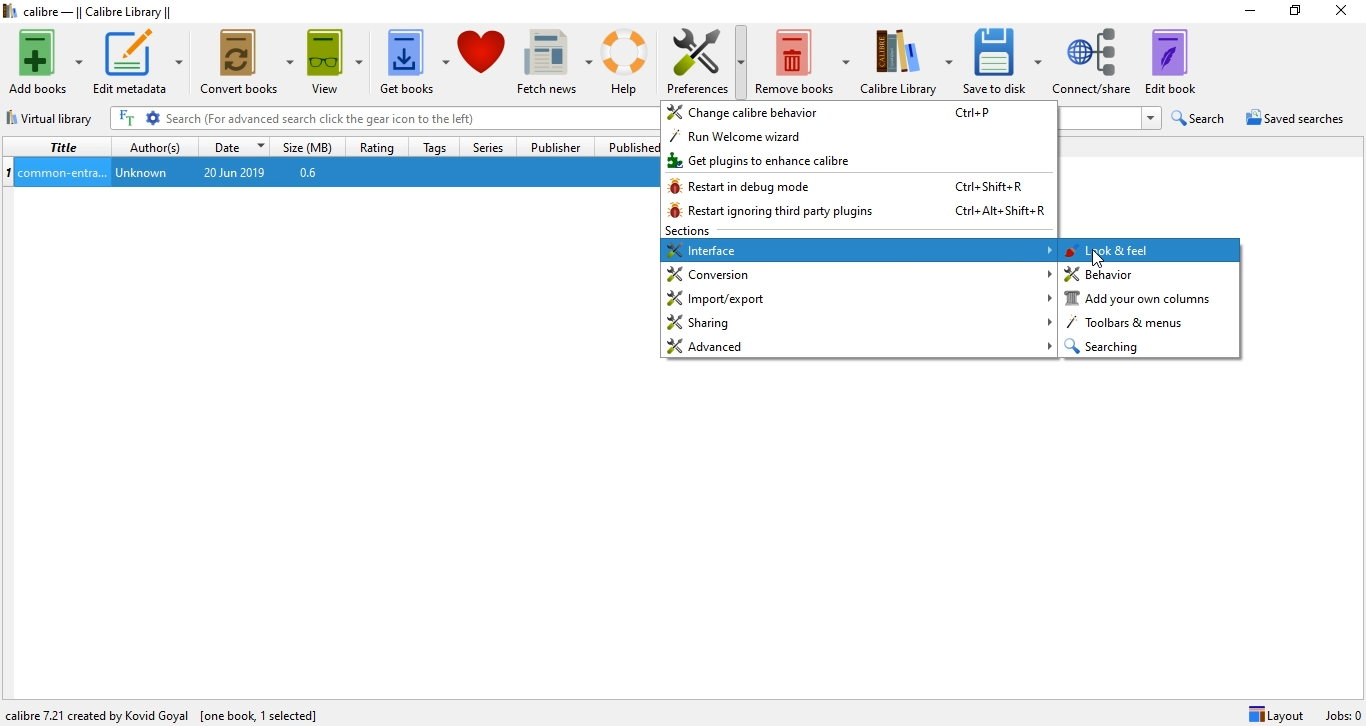  What do you see at coordinates (1341, 715) in the screenshot?
I see `Jobs: 0` at bounding box center [1341, 715].